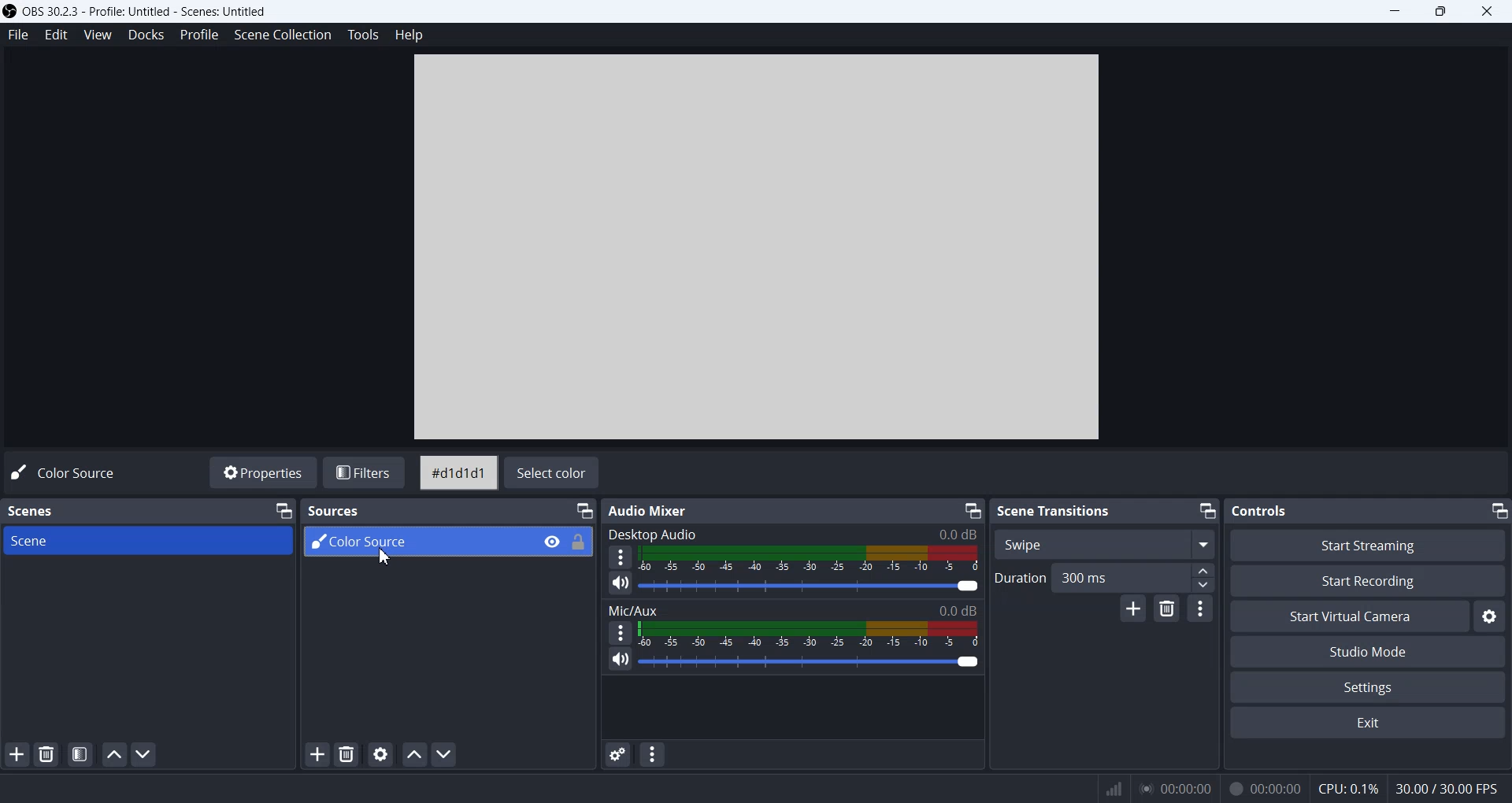  Describe the element at coordinates (794, 531) in the screenshot. I see `Desktop Audio 0.0 dB` at that location.